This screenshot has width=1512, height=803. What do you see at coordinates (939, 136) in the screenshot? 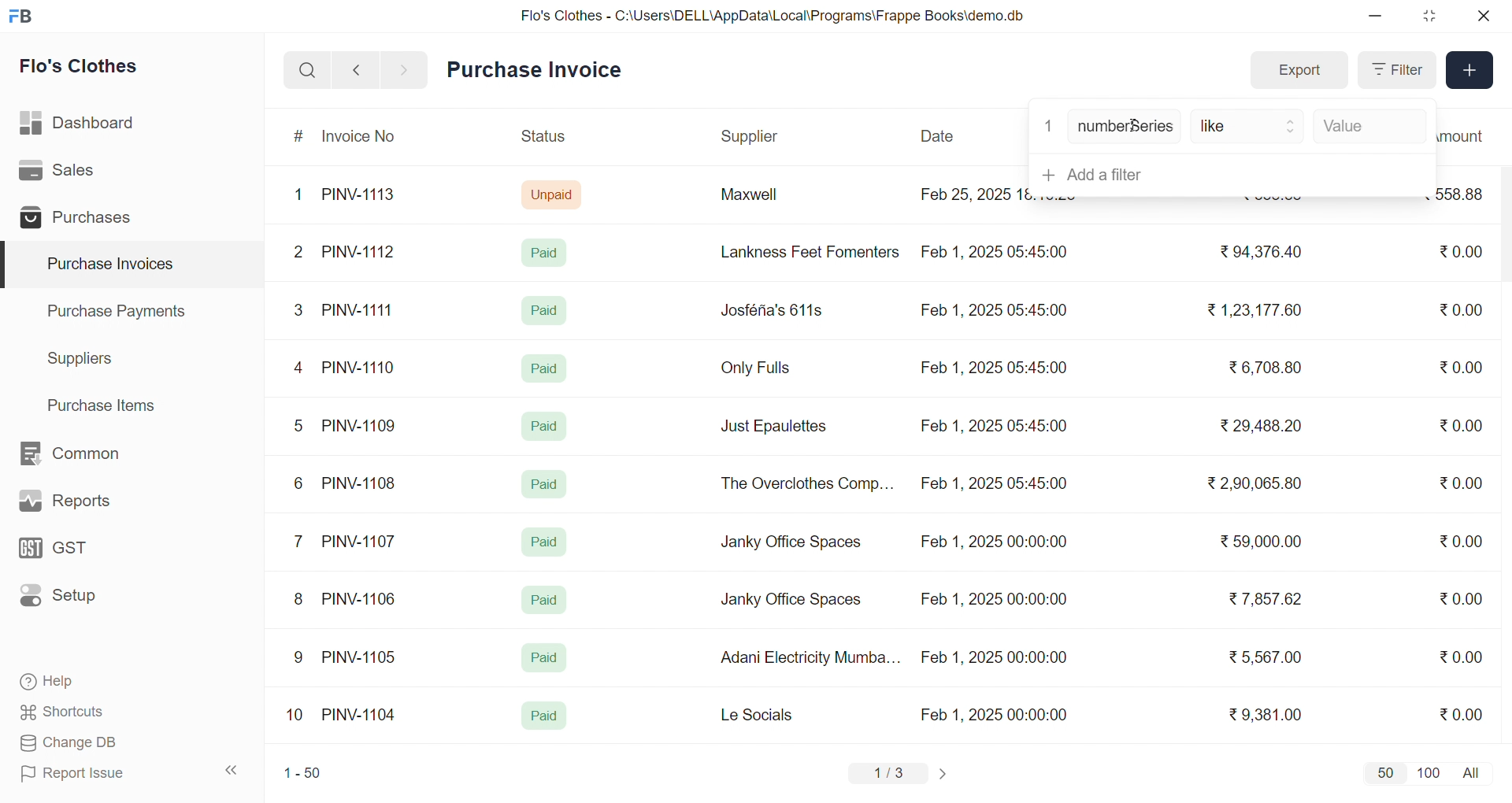
I see `Date` at bounding box center [939, 136].